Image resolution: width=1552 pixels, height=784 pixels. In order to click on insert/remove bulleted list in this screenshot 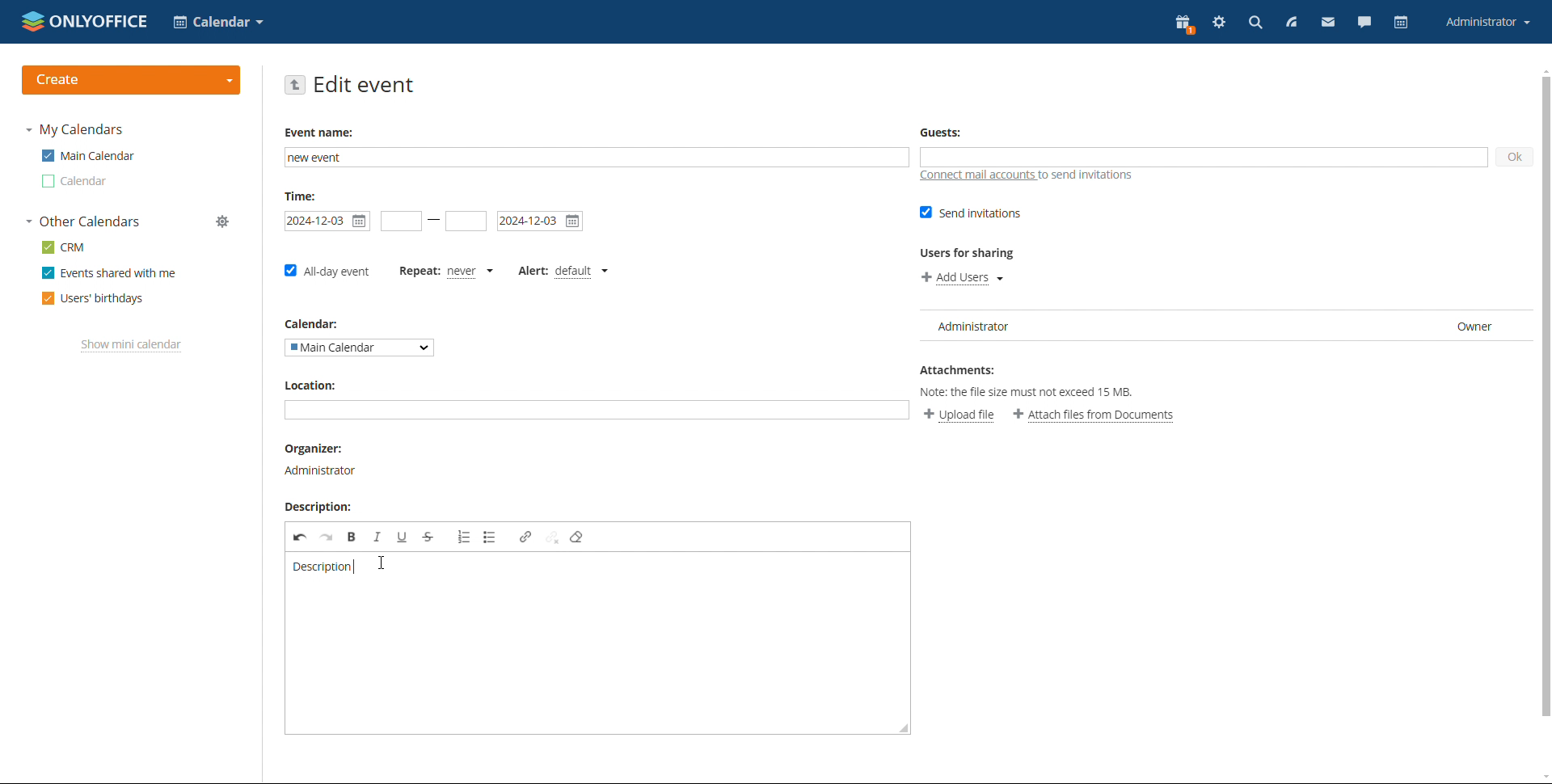, I will do `click(490, 537)`.